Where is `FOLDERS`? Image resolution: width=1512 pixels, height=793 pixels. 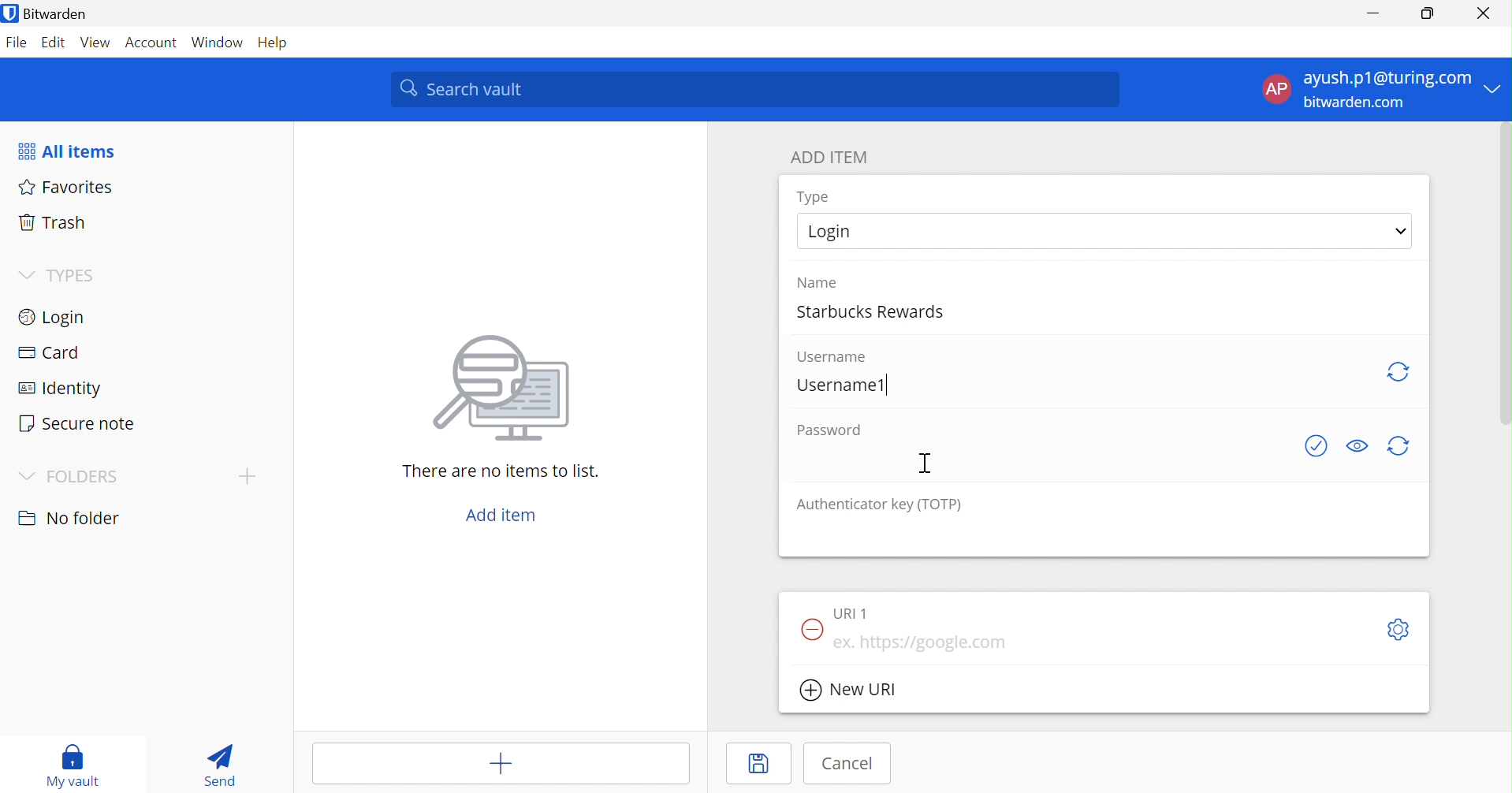
FOLDERS is located at coordinates (84, 478).